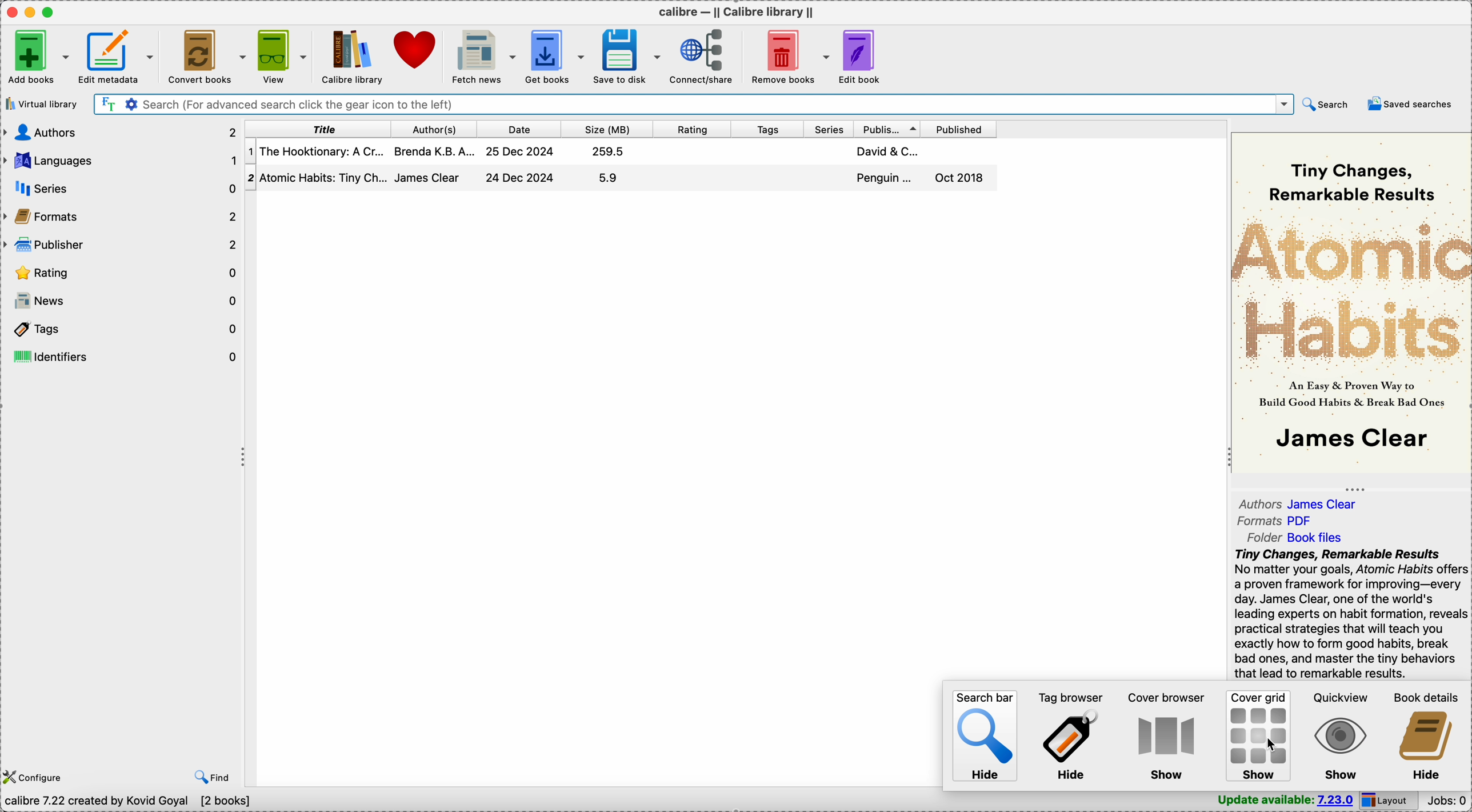 The height and width of the screenshot is (812, 1472). What do you see at coordinates (244, 458) in the screenshot?
I see `toggle expand/contract` at bounding box center [244, 458].